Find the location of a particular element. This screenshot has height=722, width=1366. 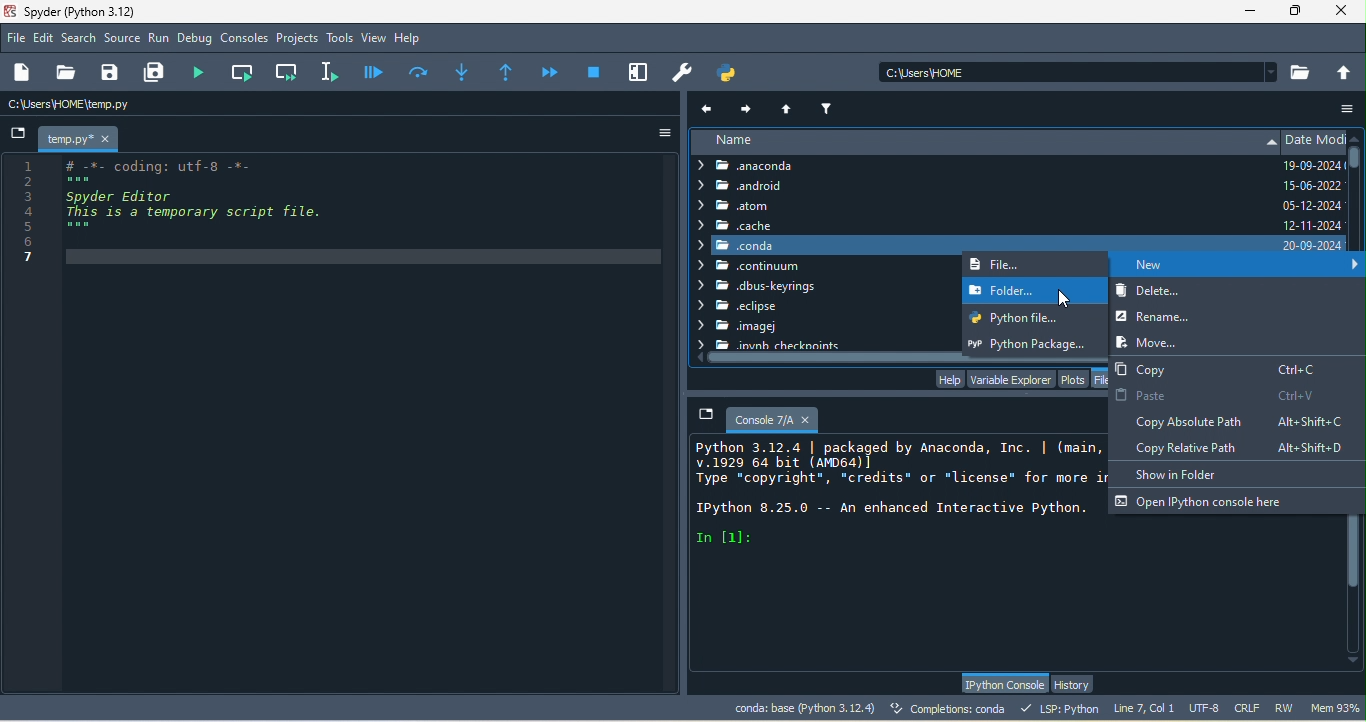

method returns is located at coordinates (508, 73).